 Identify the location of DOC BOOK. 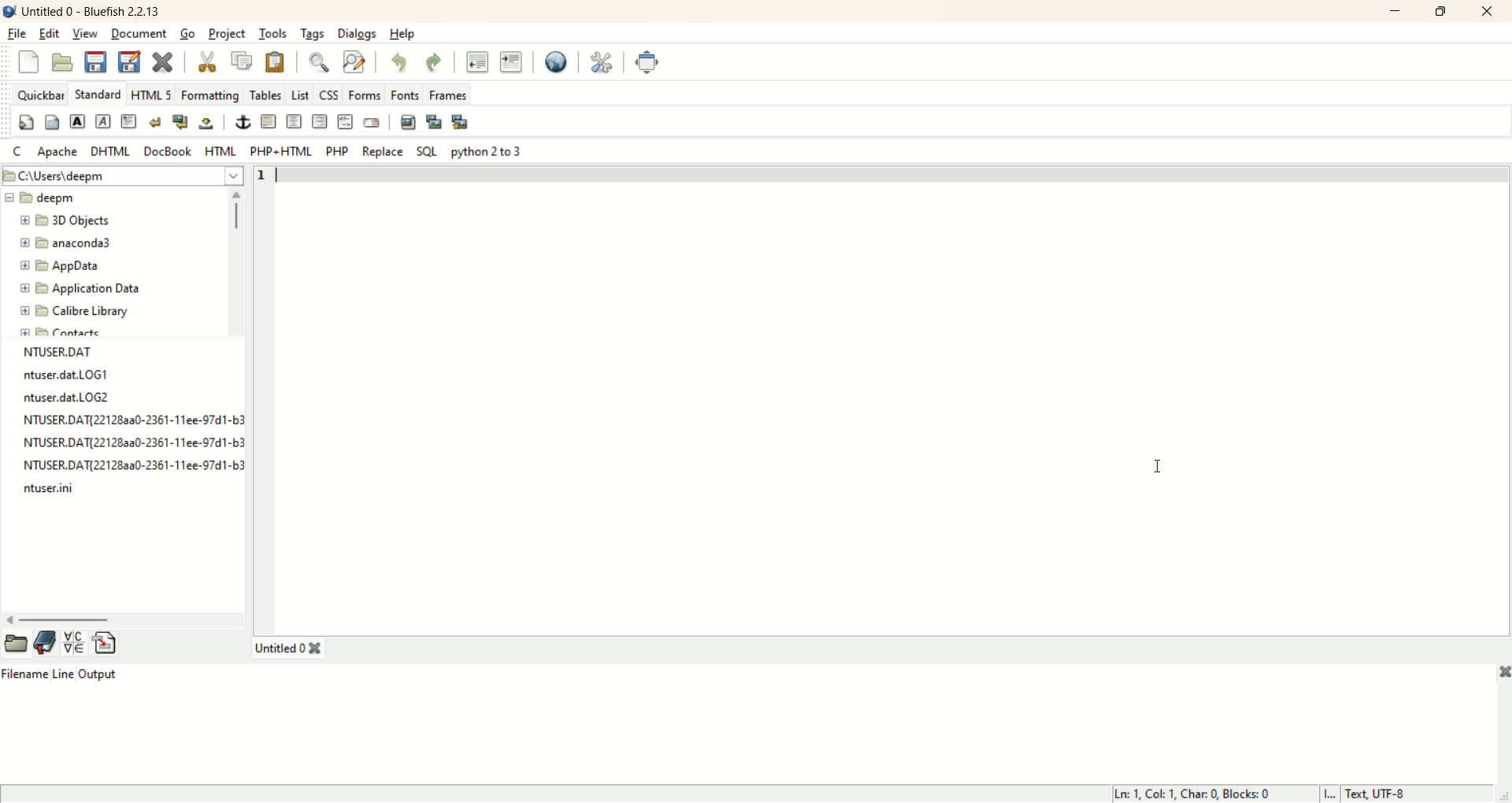
(169, 151).